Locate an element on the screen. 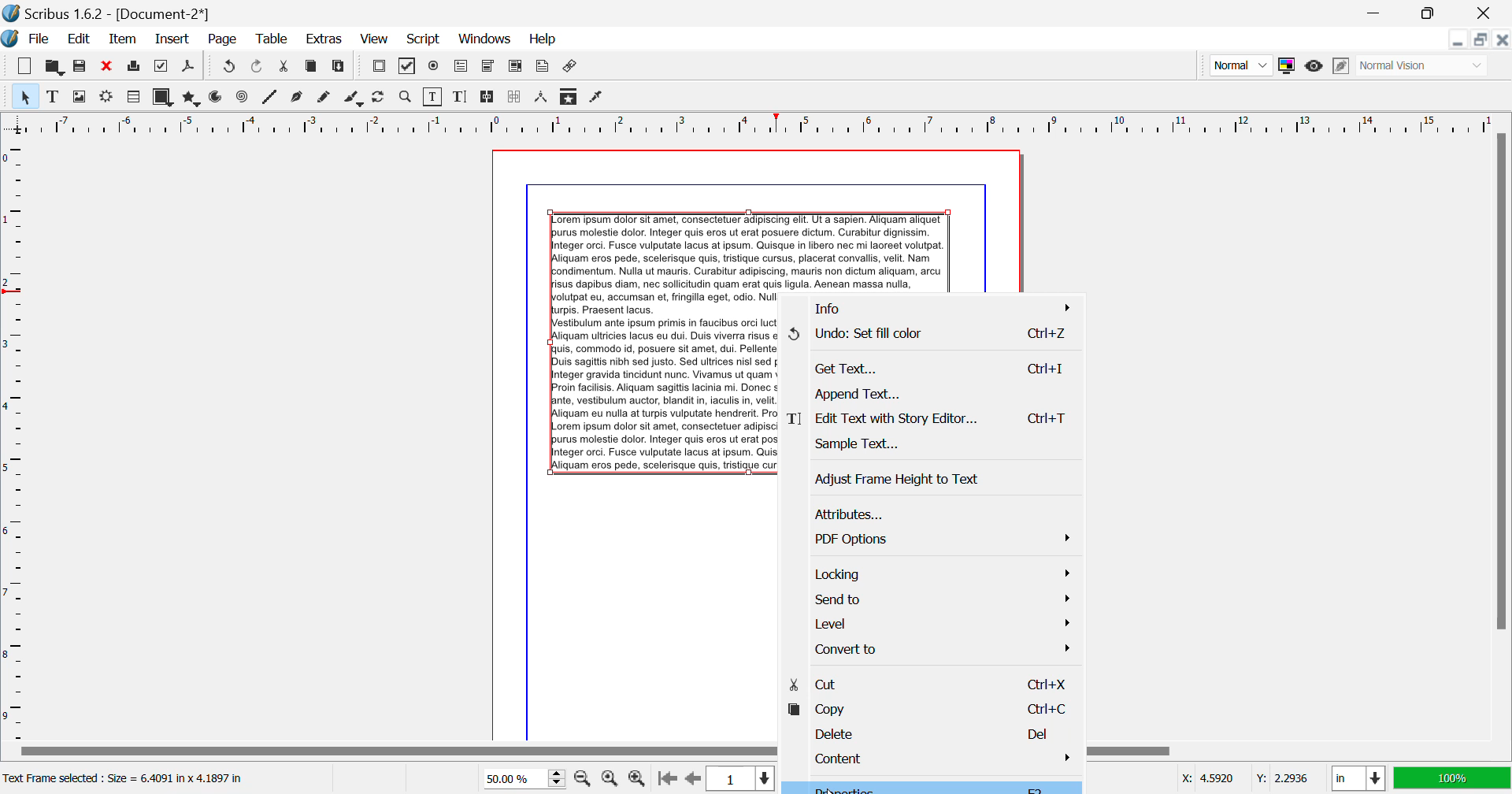 The height and width of the screenshot is (794, 1512). Cut is located at coordinates (285, 68).